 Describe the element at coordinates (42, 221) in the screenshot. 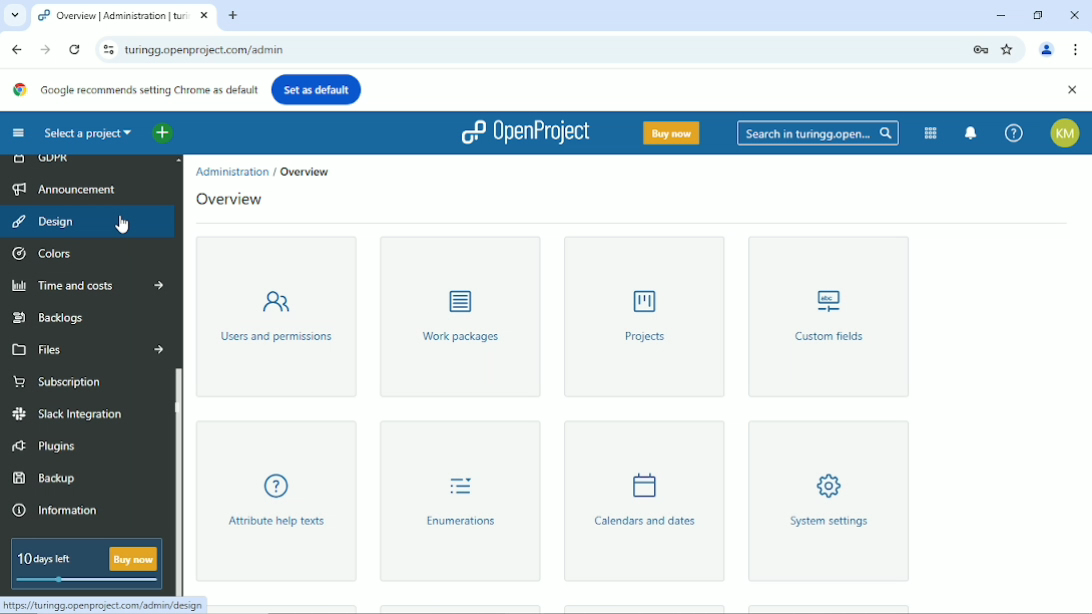

I see `Design` at that location.